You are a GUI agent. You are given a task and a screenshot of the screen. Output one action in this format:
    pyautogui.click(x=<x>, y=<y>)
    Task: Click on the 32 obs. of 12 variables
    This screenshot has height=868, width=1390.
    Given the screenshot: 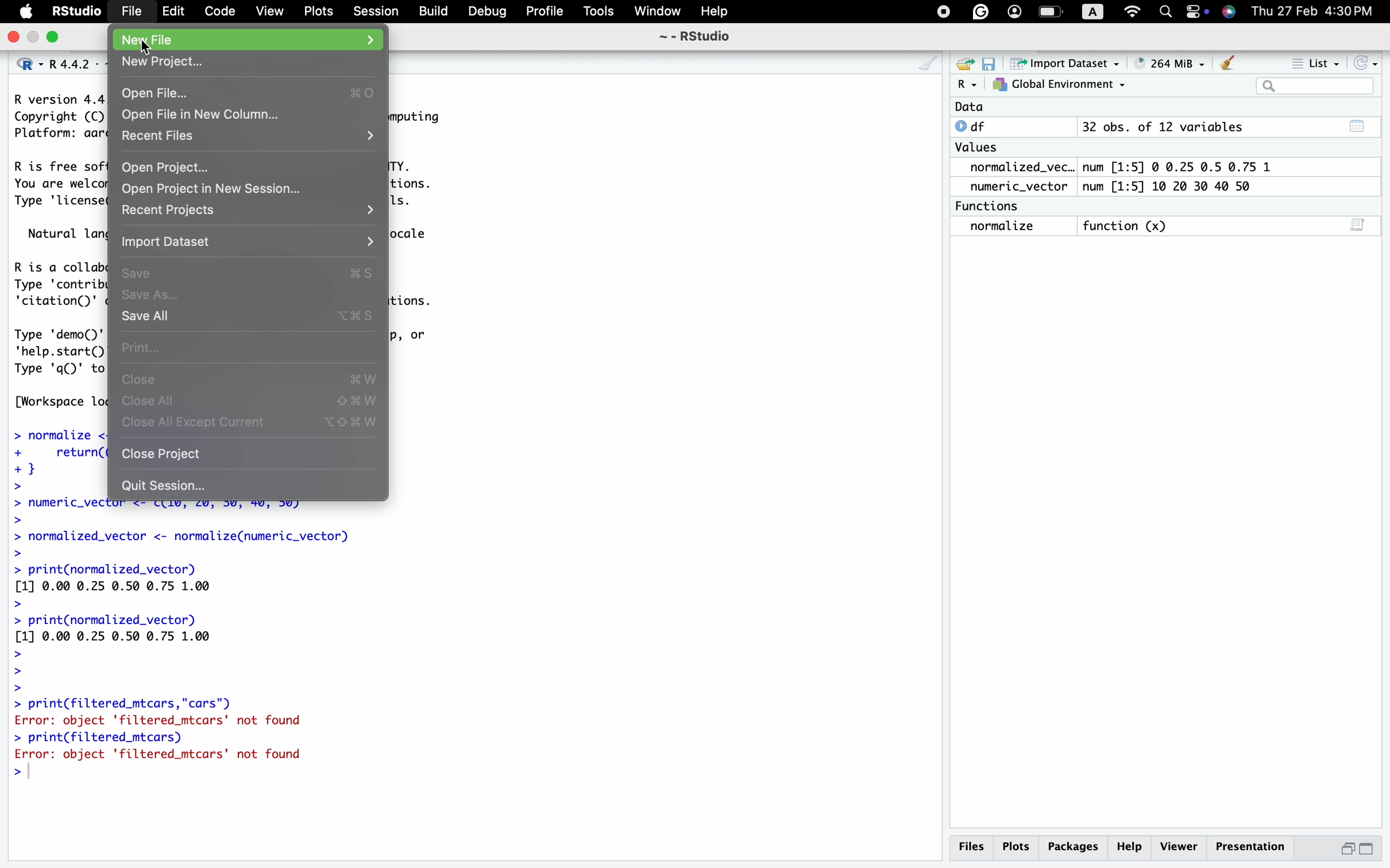 What is the action you would take?
    pyautogui.click(x=1164, y=126)
    